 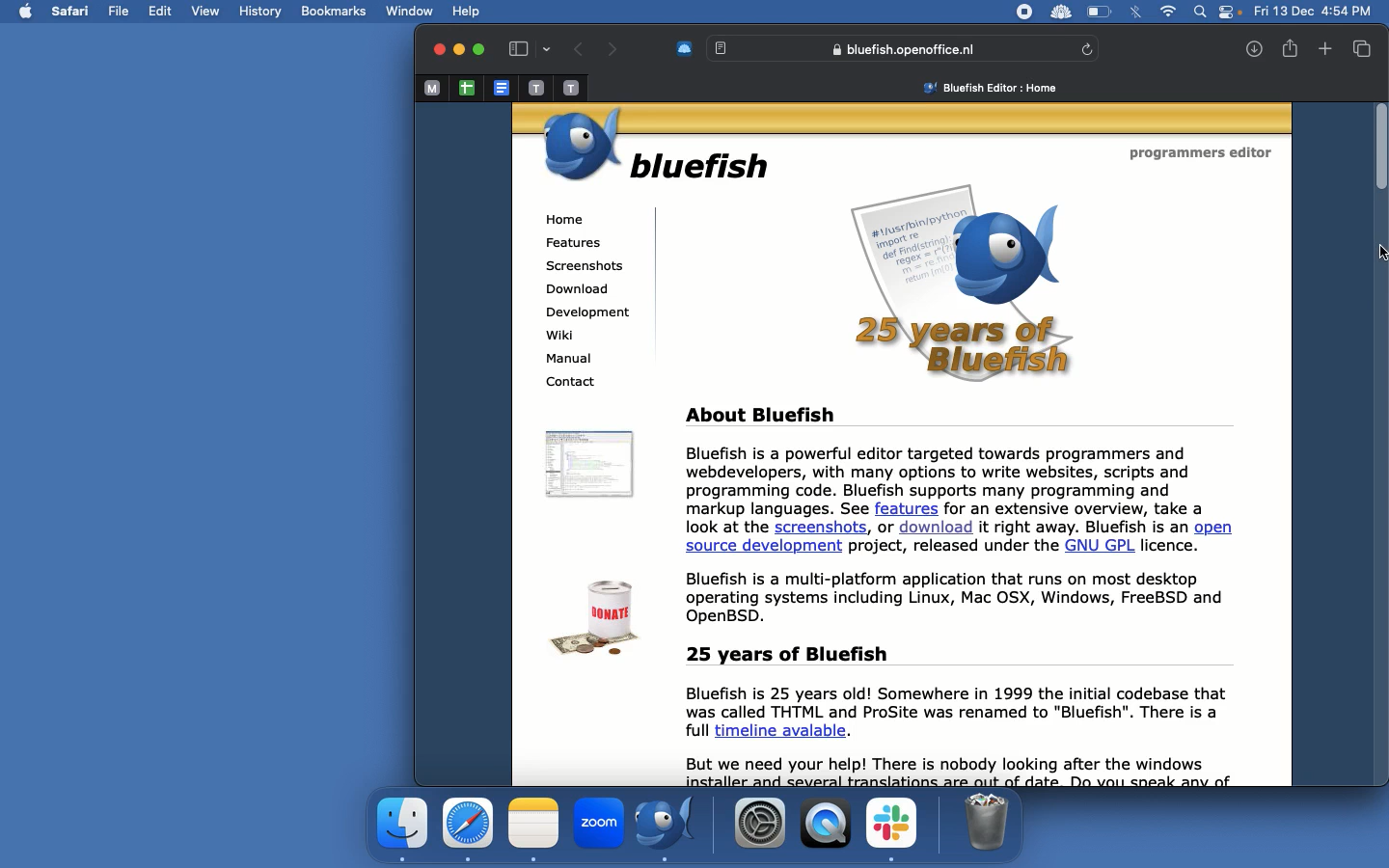 I want to click on Safari, so click(x=468, y=824).